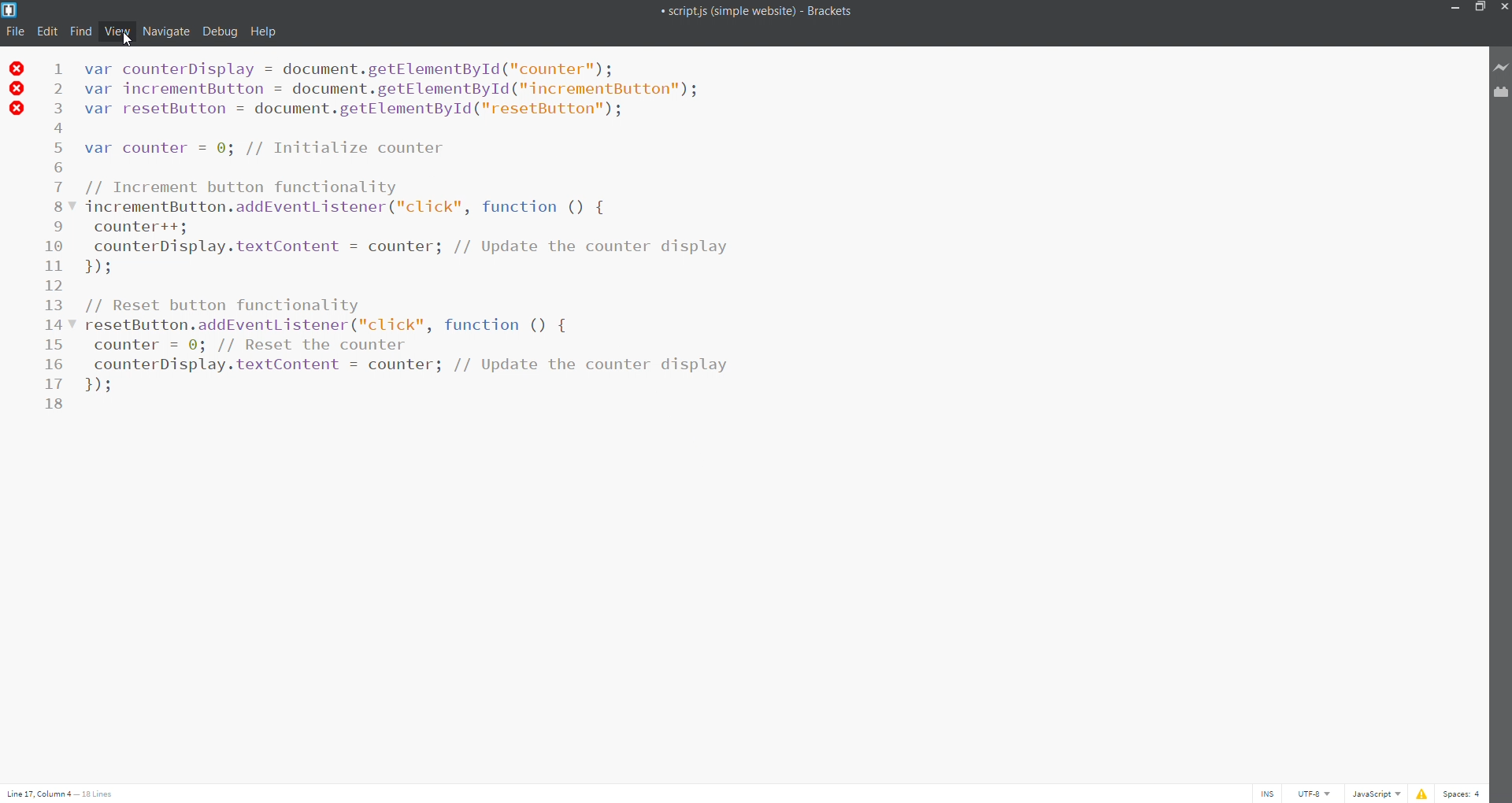 The width and height of the screenshot is (1512, 803). Describe the element at coordinates (167, 31) in the screenshot. I see `navigate` at that location.